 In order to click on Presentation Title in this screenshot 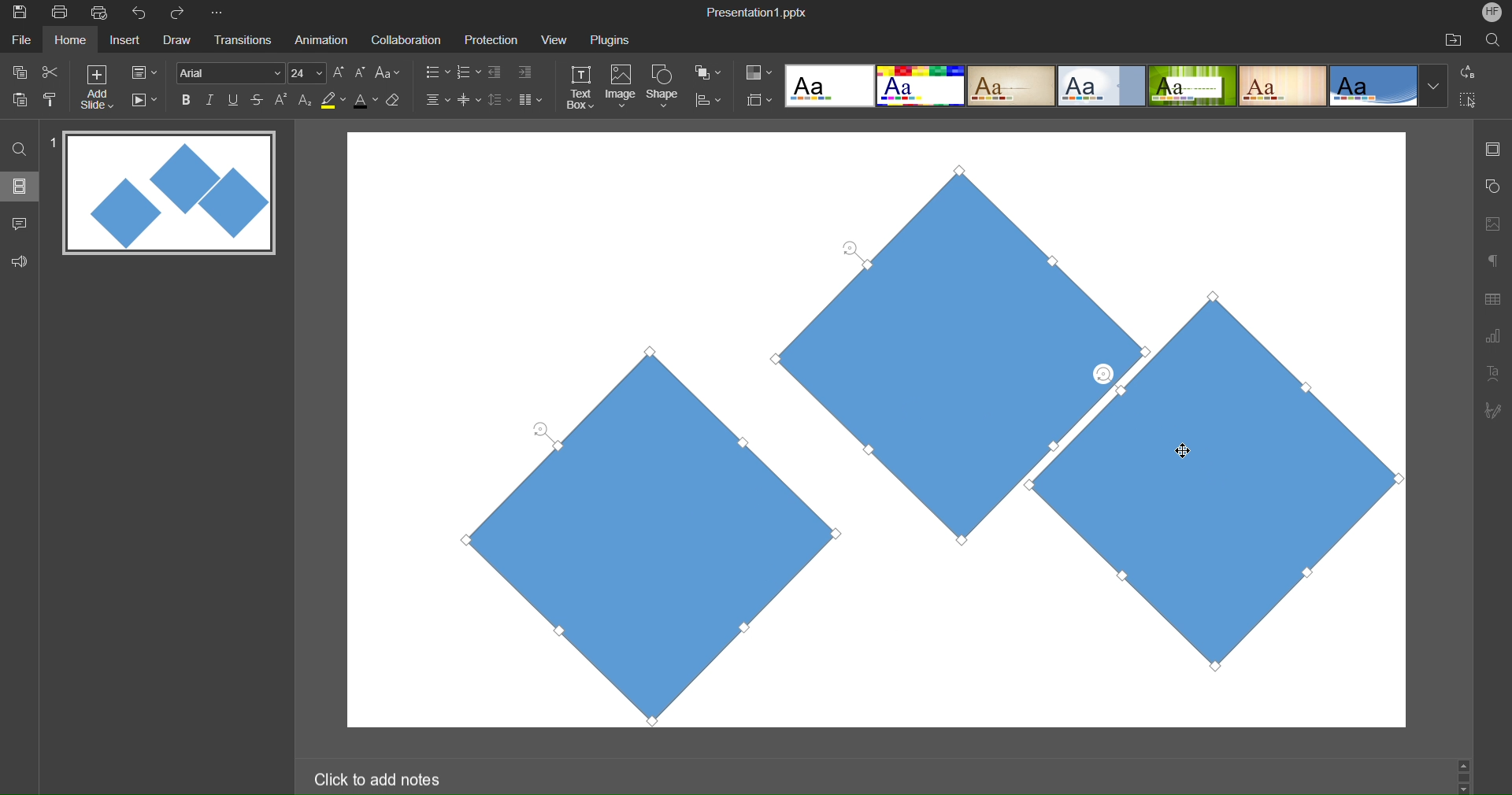, I will do `click(759, 11)`.